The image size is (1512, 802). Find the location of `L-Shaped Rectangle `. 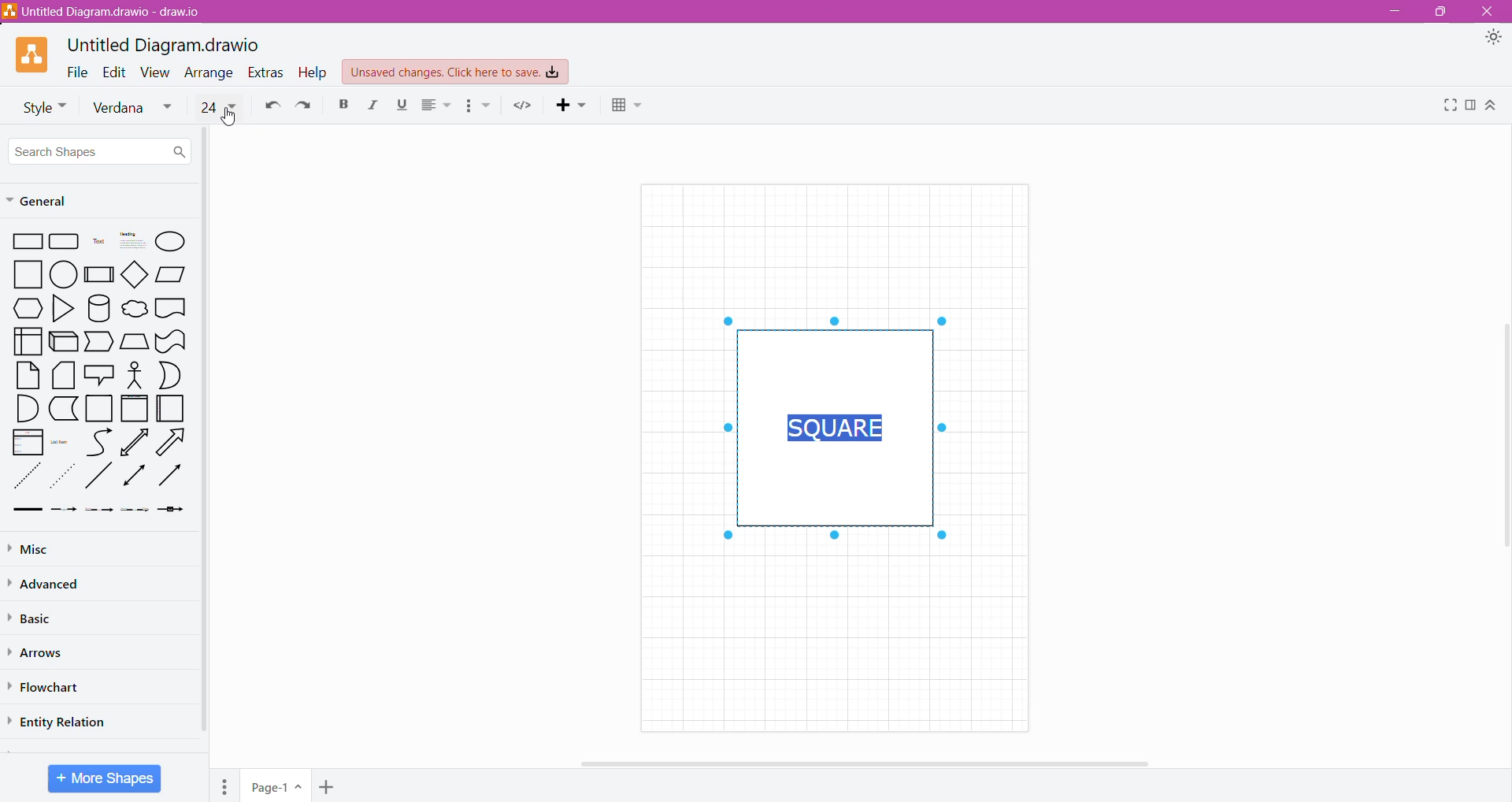

L-Shaped Rectangle  is located at coordinates (62, 410).